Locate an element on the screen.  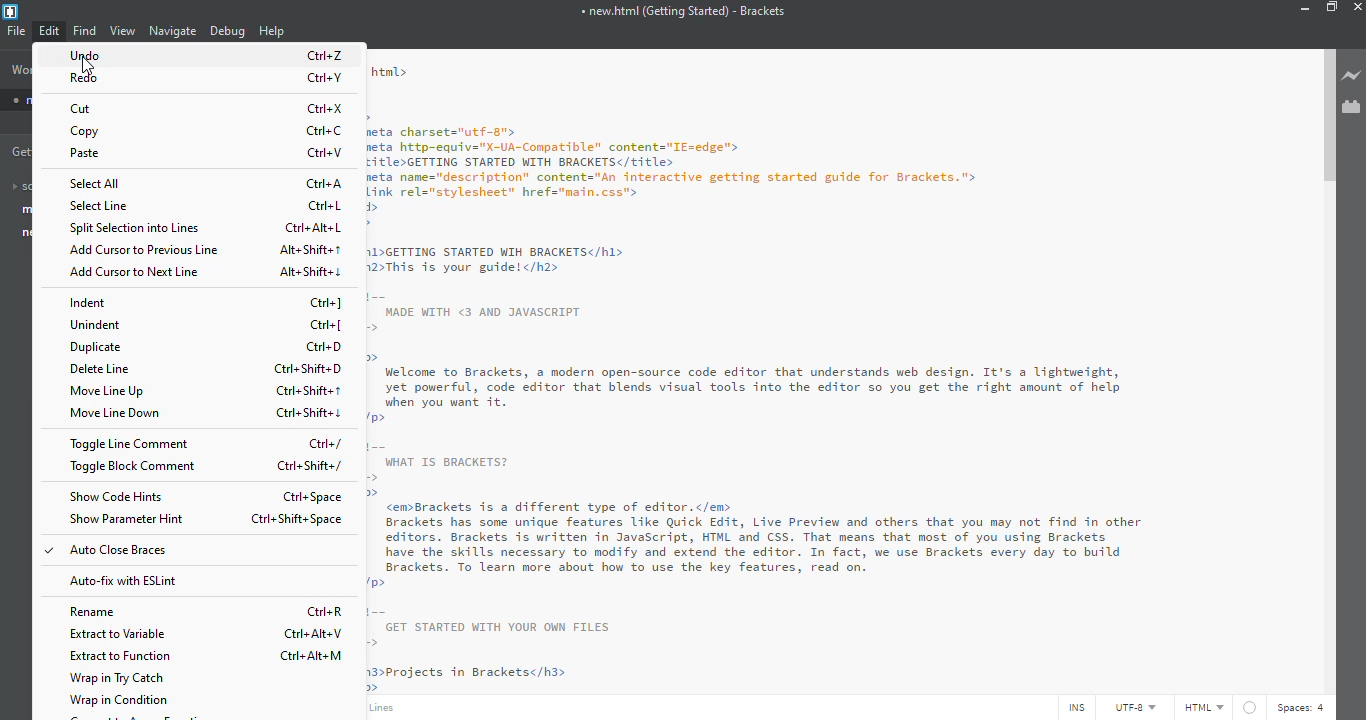
select line is located at coordinates (102, 207).